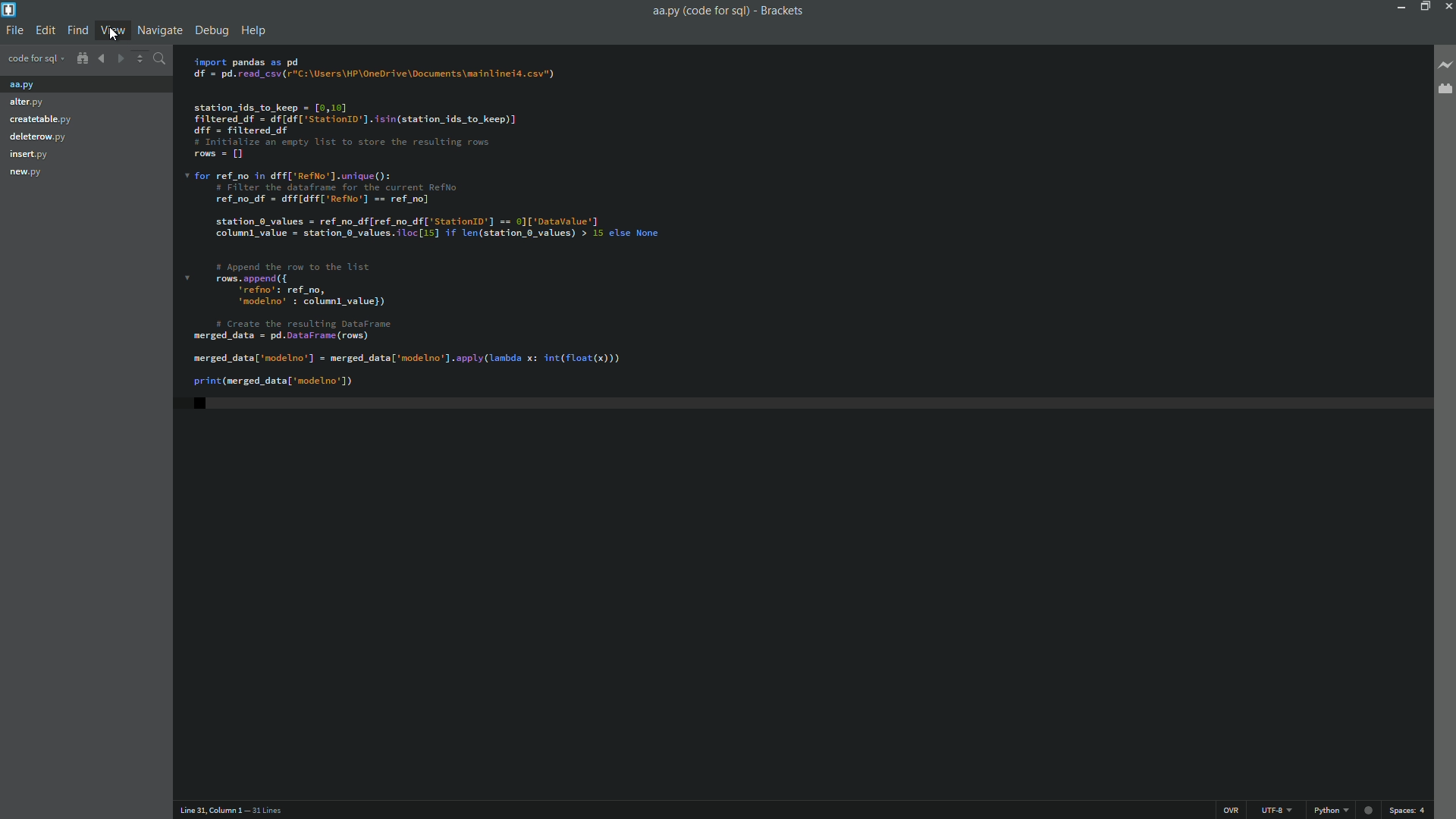  Describe the element at coordinates (31, 60) in the screenshot. I see `project name` at that location.